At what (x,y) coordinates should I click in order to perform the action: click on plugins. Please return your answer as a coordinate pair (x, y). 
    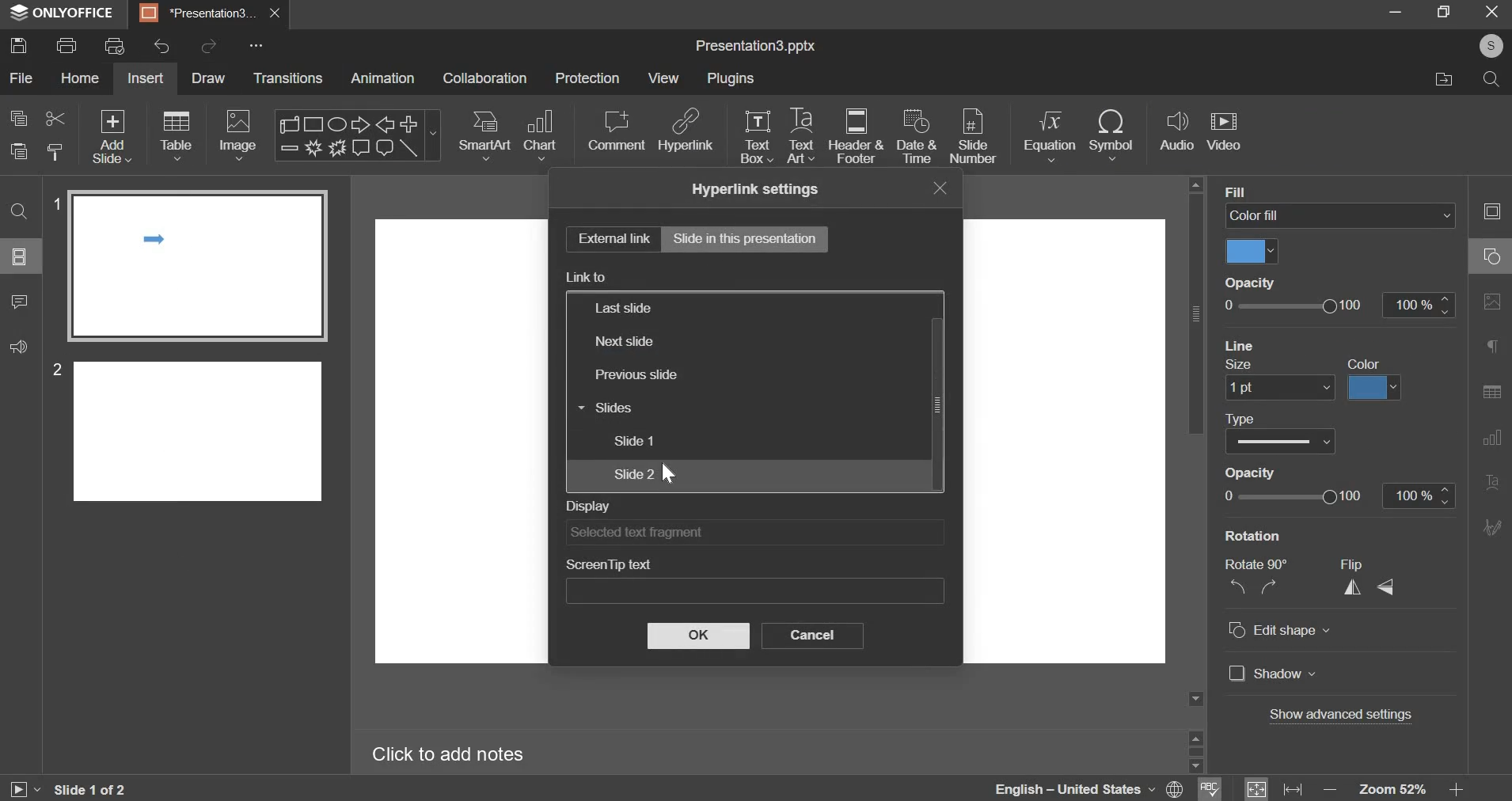
    Looking at the image, I should click on (731, 78).